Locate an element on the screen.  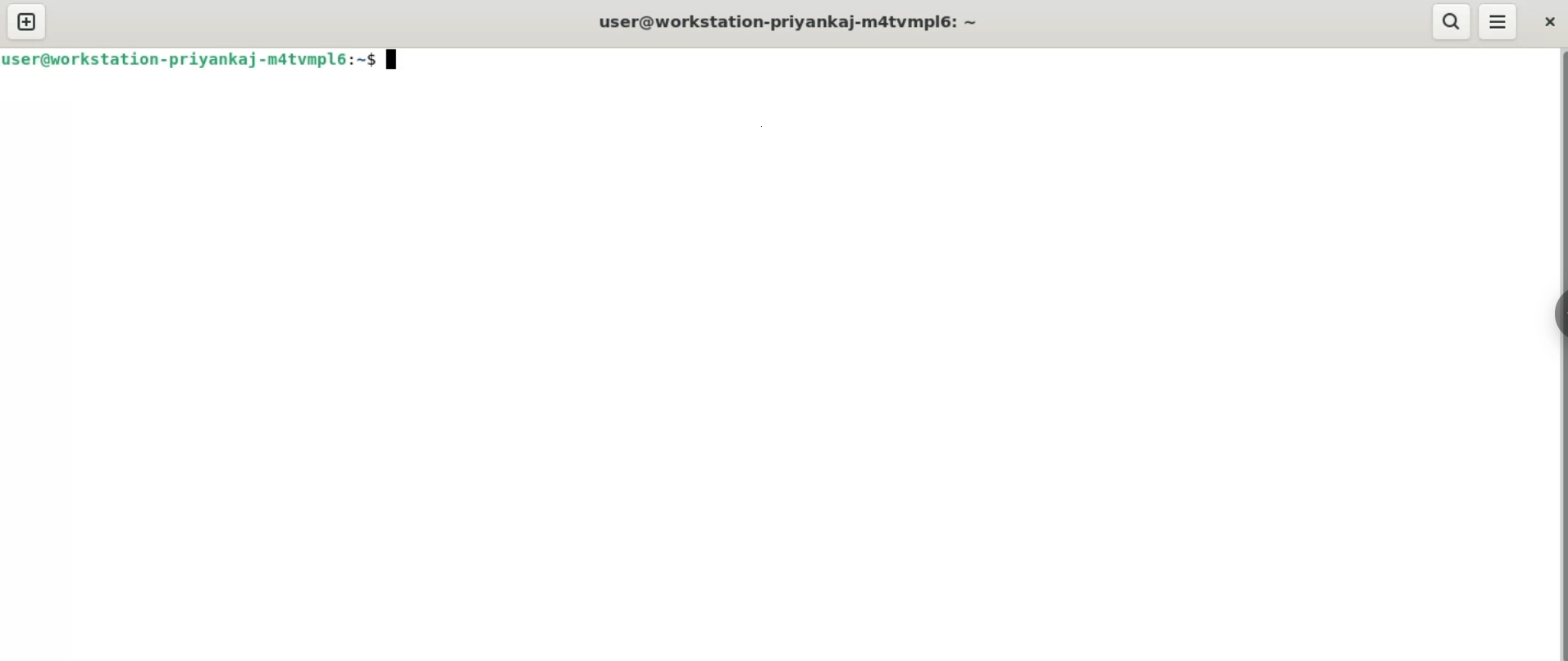
close is located at coordinates (1549, 23).